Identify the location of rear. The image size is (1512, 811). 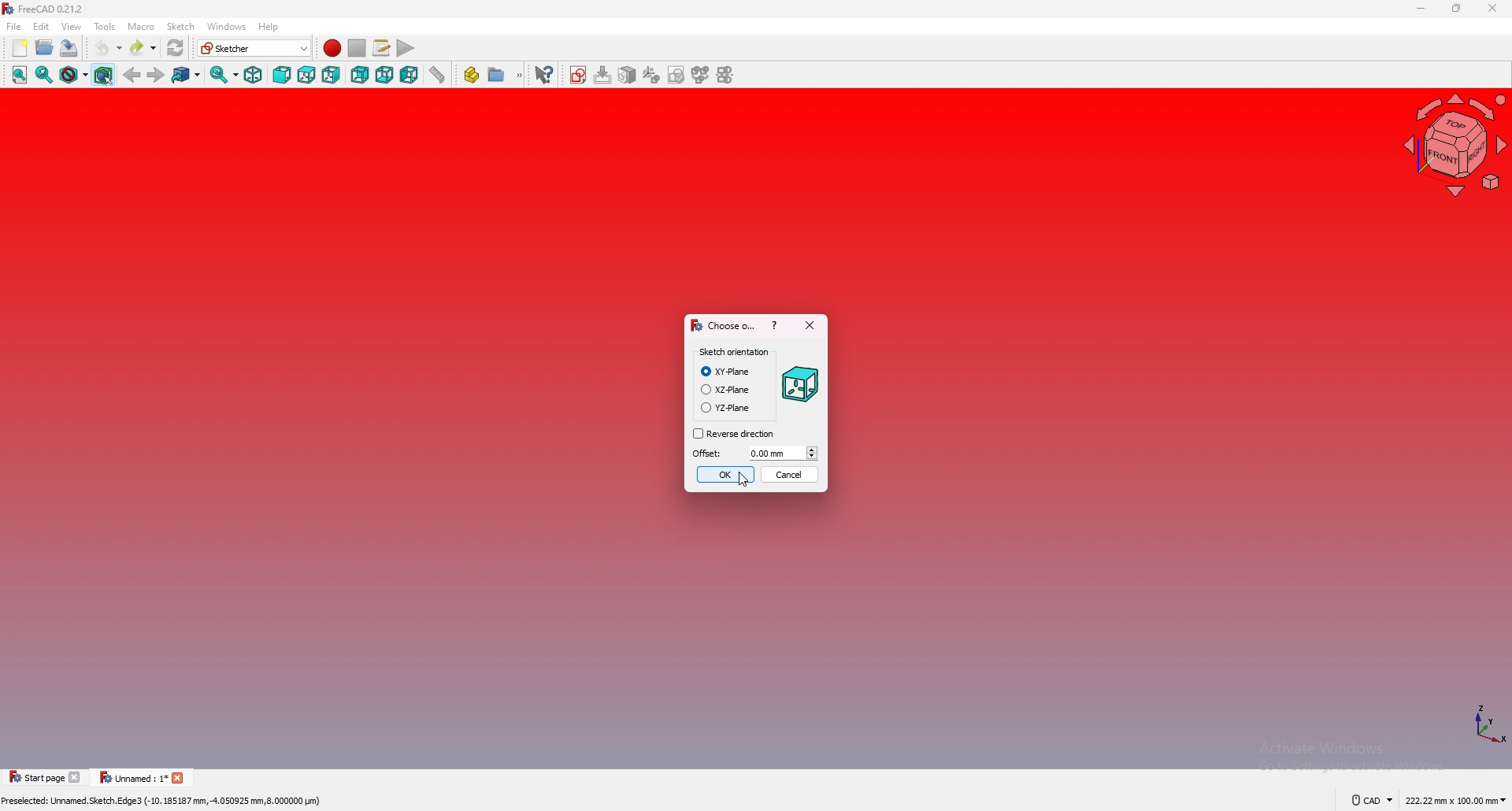
(359, 75).